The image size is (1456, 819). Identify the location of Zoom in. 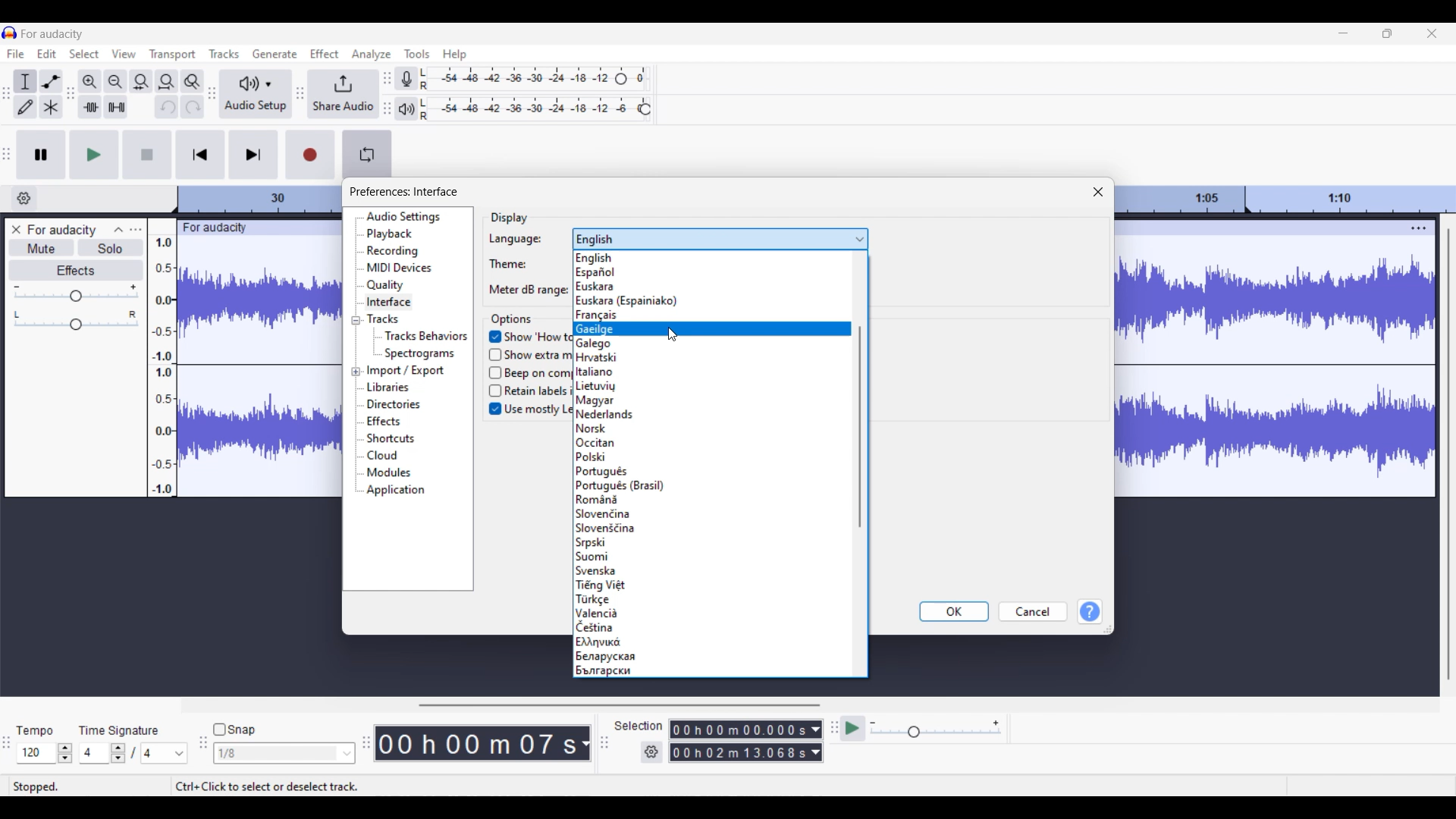
(90, 82).